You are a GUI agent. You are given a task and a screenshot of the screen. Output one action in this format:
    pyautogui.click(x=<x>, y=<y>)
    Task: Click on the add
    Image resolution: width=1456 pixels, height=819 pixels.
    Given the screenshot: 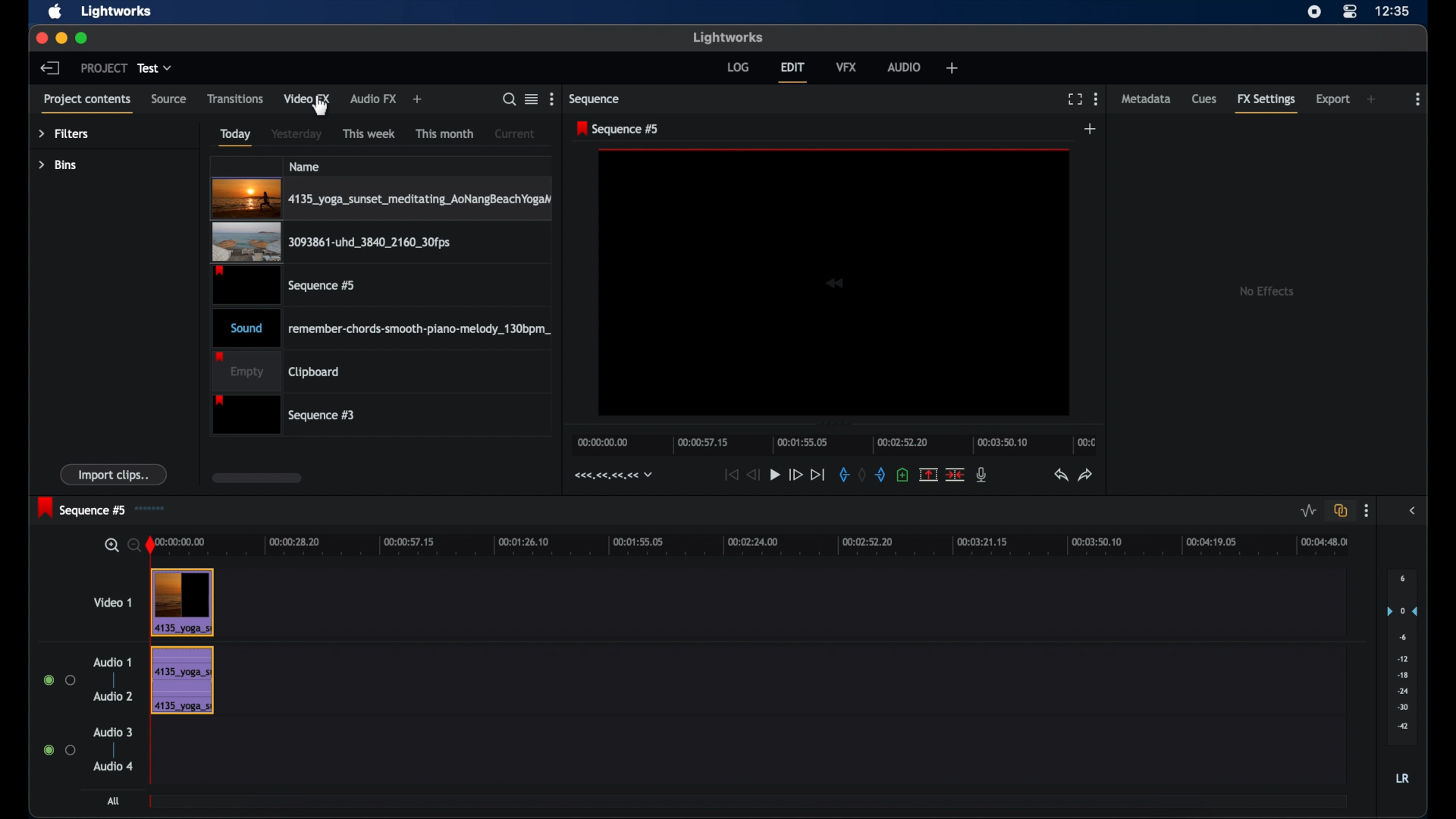 What is the action you would take?
    pyautogui.click(x=1373, y=99)
    